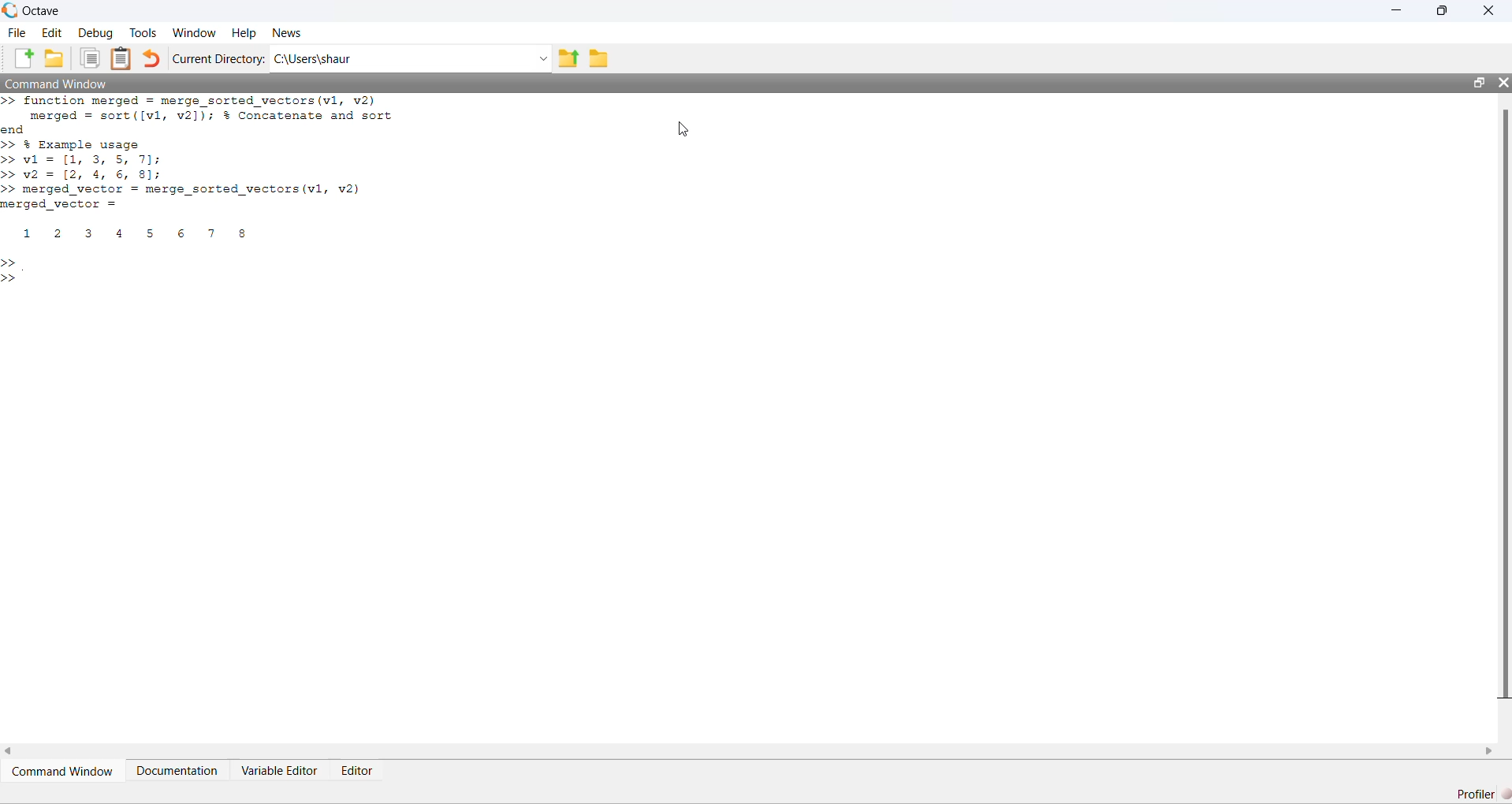 The height and width of the screenshot is (804, 1512). What do you see at coordinates (244, 34) in the screenshot?
I see `Help` at bounding box center [244, 34].